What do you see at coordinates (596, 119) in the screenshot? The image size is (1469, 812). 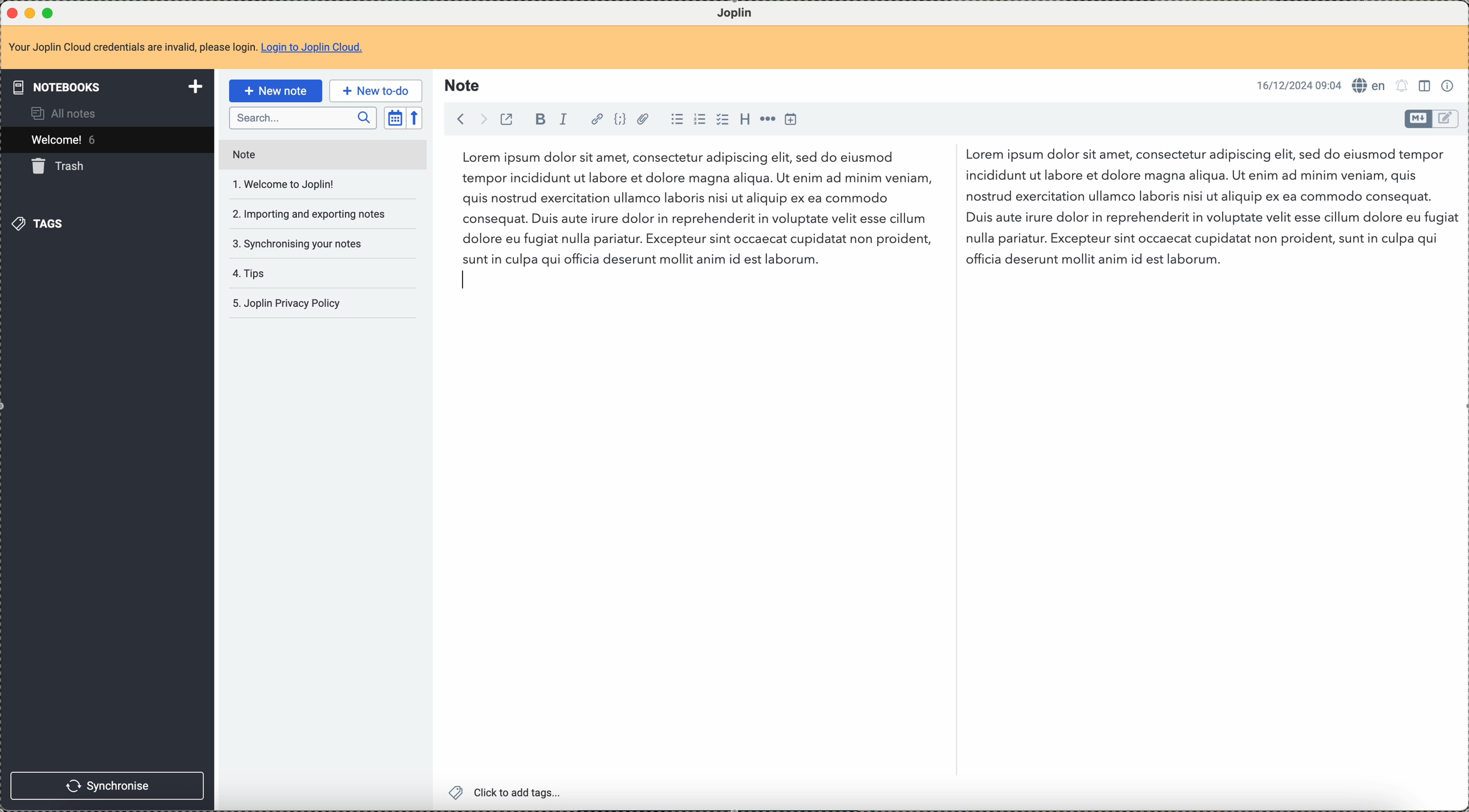 I see `hyperlink` at bounding box center [596, 119].